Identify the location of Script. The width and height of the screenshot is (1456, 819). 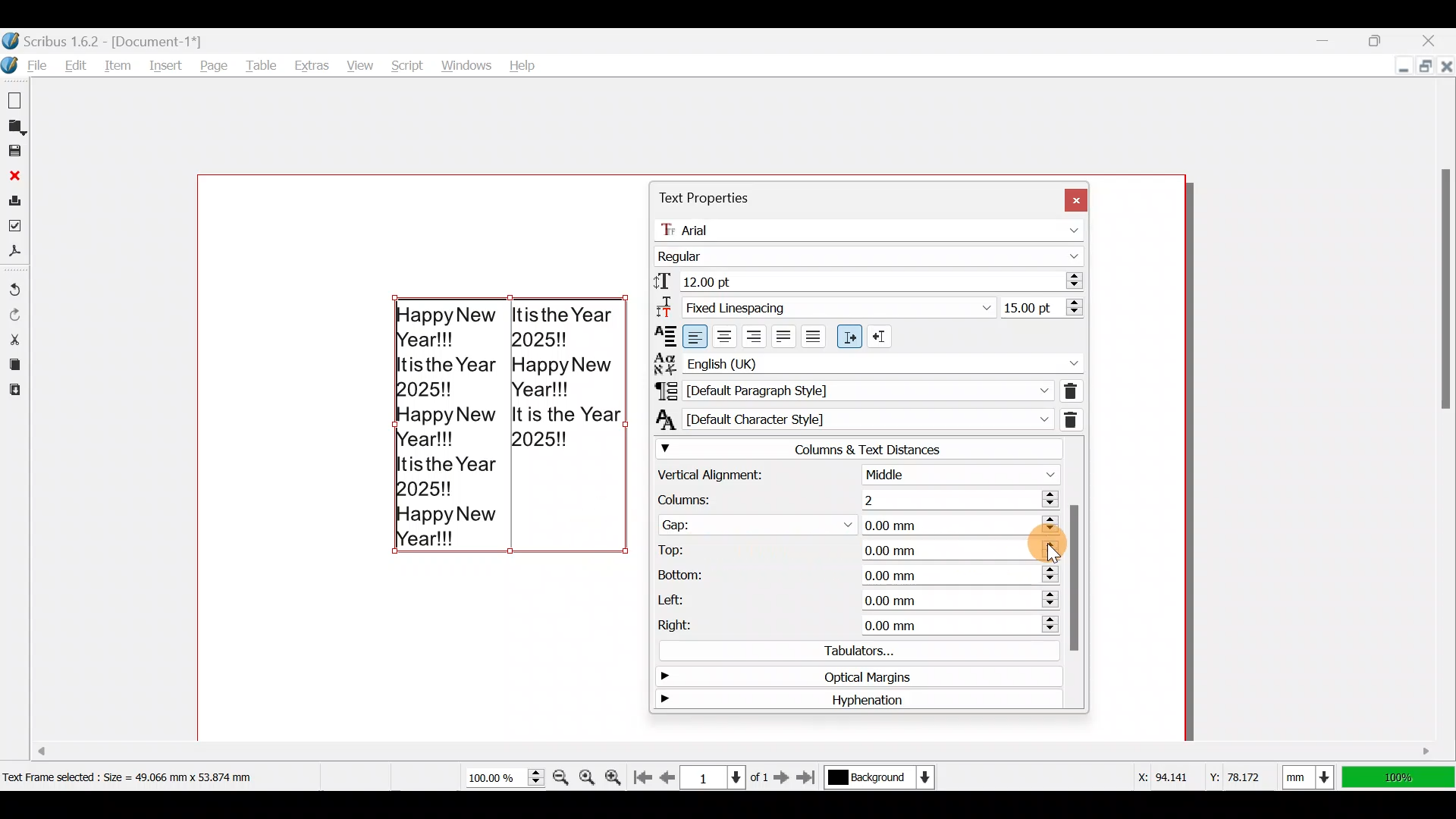
(405, 61).